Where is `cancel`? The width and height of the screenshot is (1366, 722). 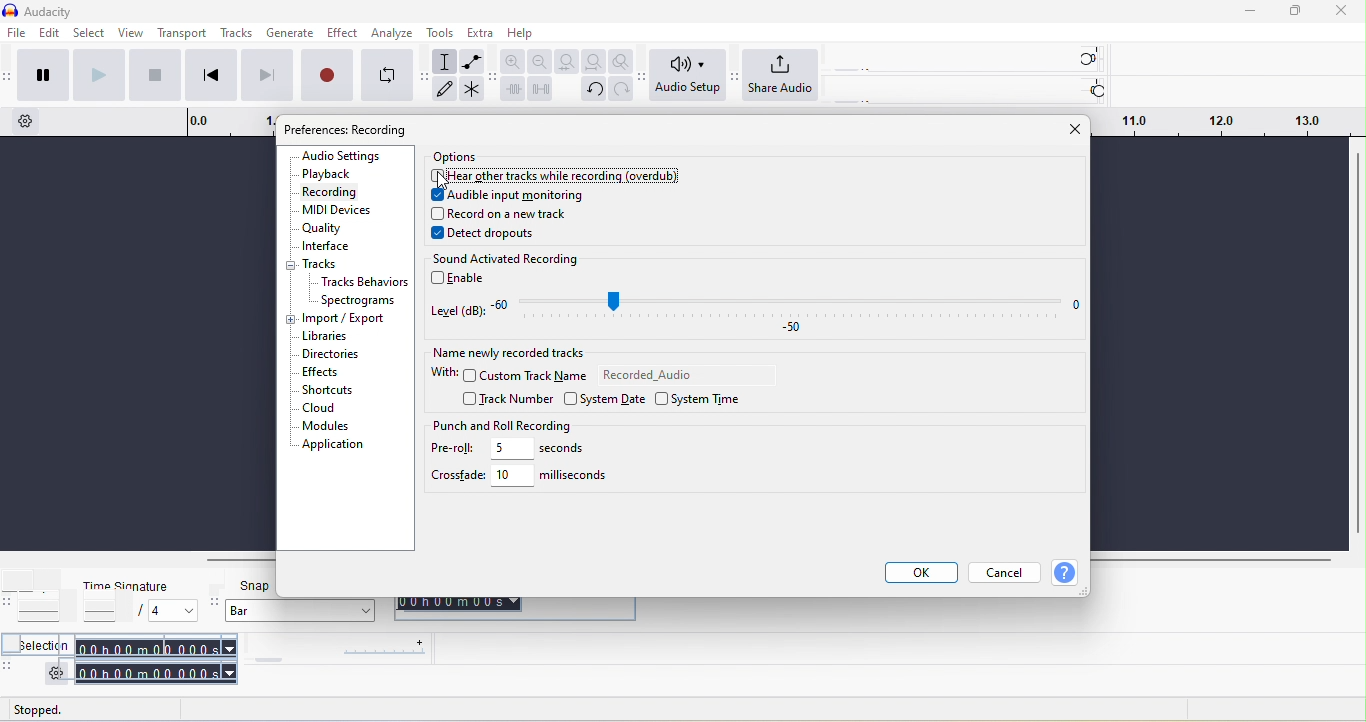
cancel is located at coordinates (1004, 572).